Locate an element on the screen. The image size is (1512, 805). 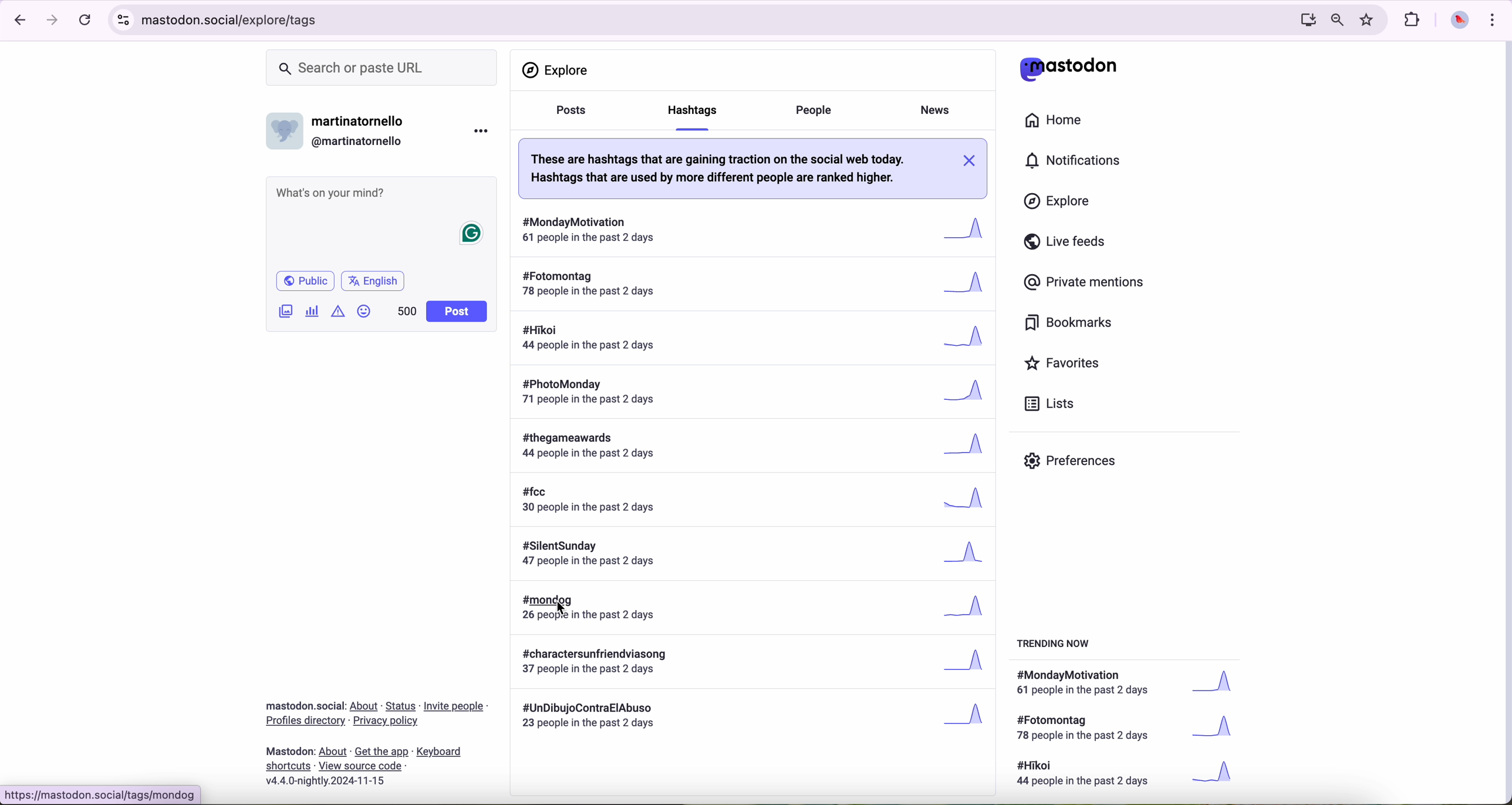
#UnDibujoContraElAbuso is located at coordinates (754, 718).